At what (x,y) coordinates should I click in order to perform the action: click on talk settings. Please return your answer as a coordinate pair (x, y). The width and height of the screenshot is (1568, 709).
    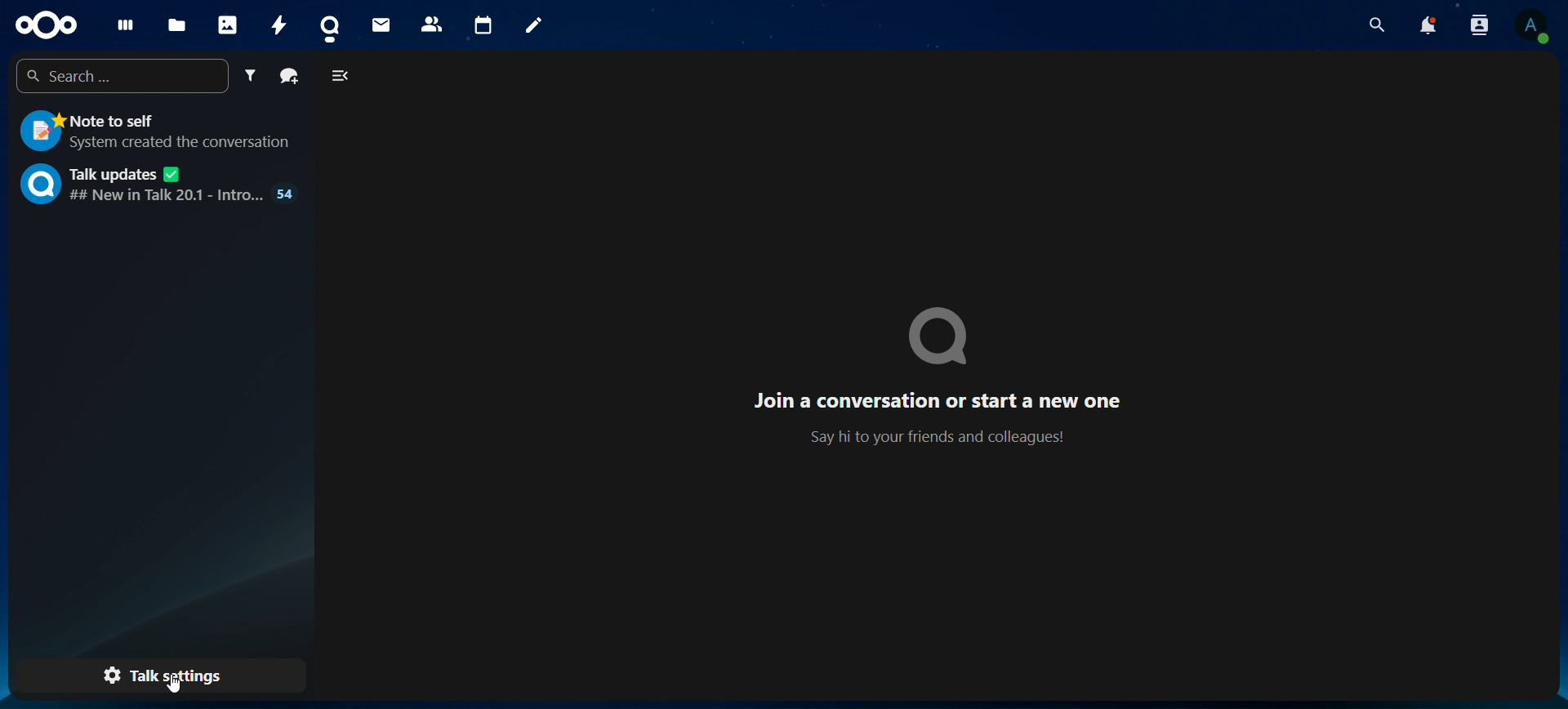
    Looking at the image, I should click on (163, 672).